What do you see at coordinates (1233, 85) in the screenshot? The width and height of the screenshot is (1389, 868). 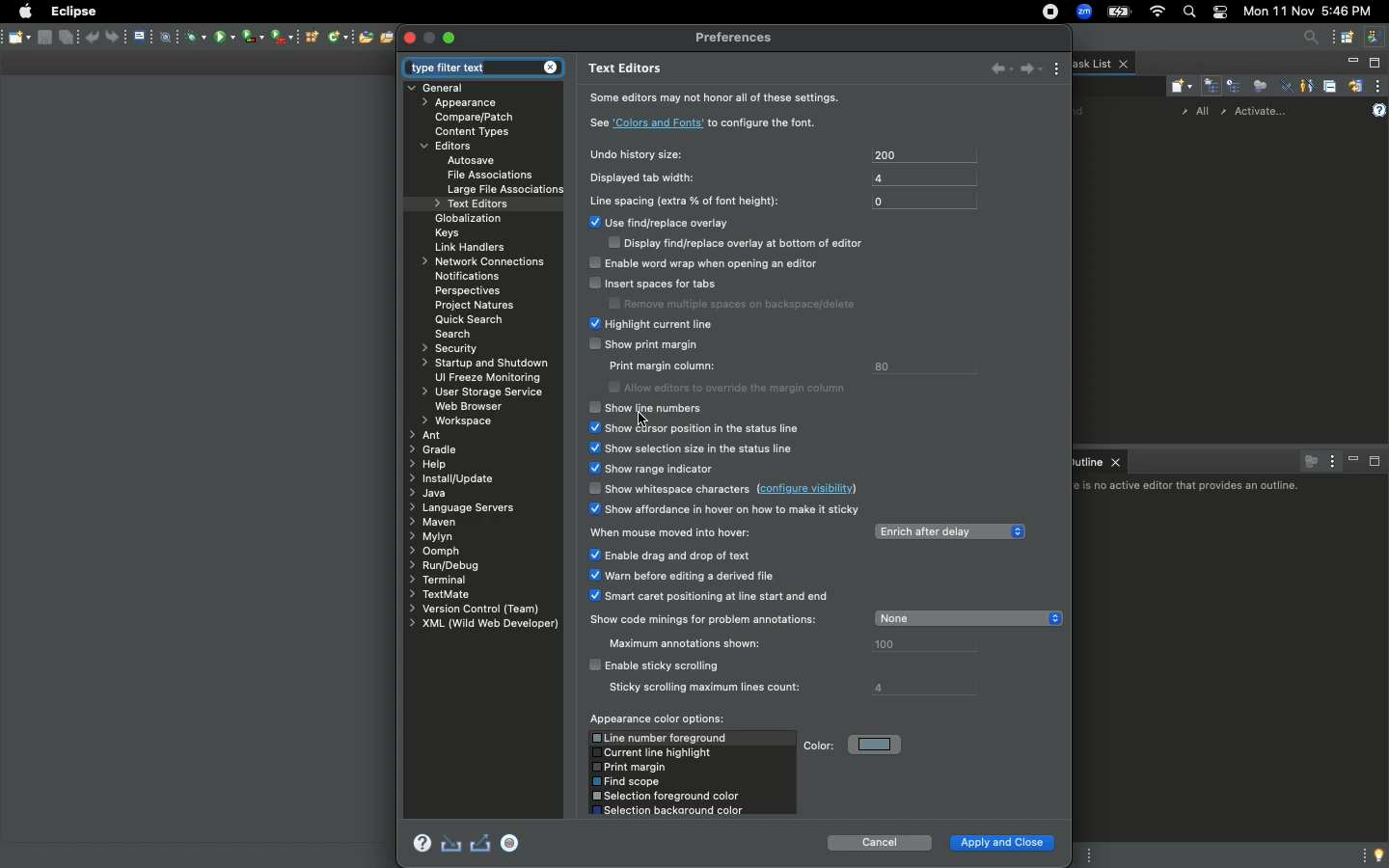 I see `Scheduled` at bounding box center [1233, 85].